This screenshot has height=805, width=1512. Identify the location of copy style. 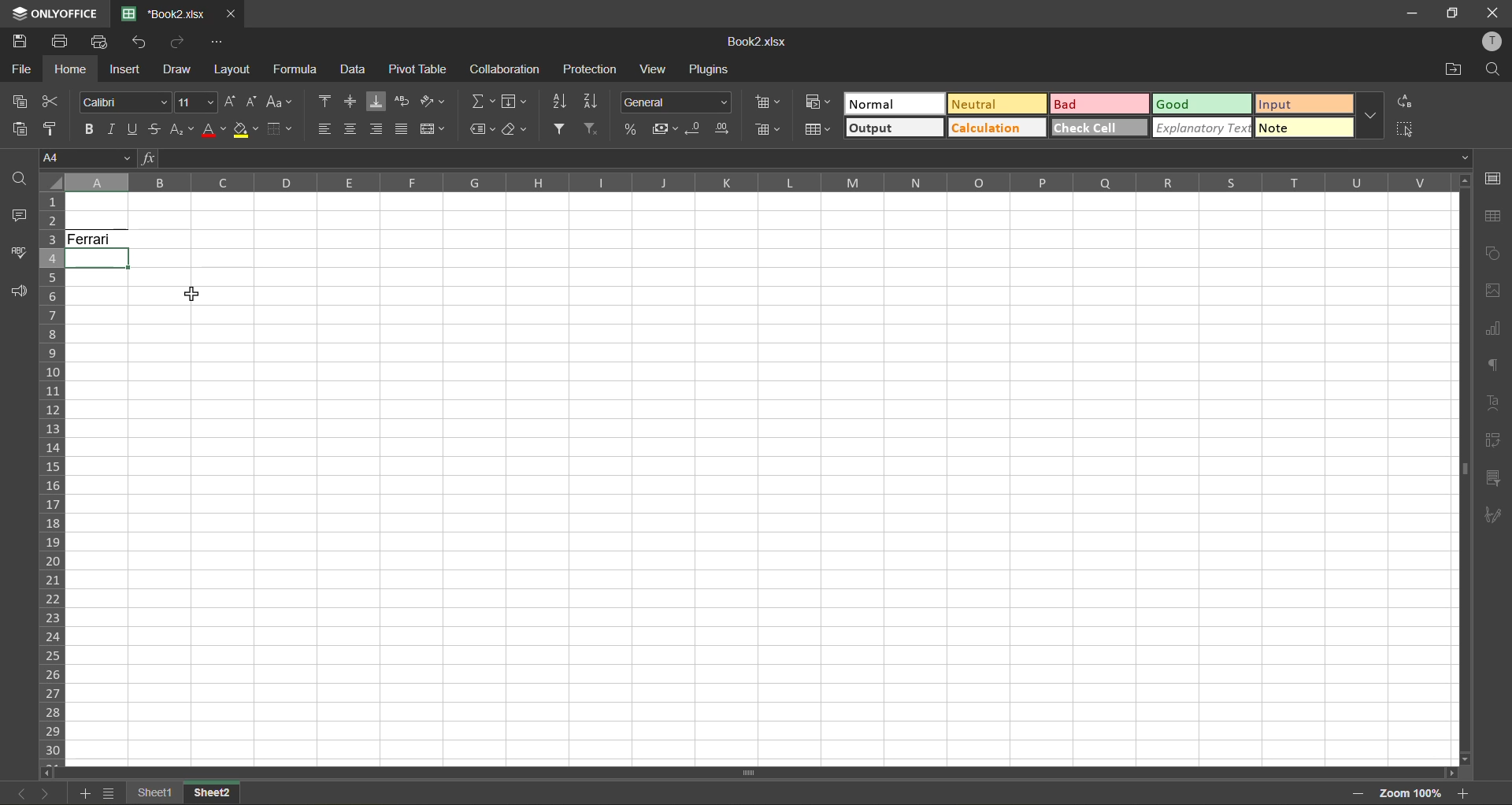
(53, 130).